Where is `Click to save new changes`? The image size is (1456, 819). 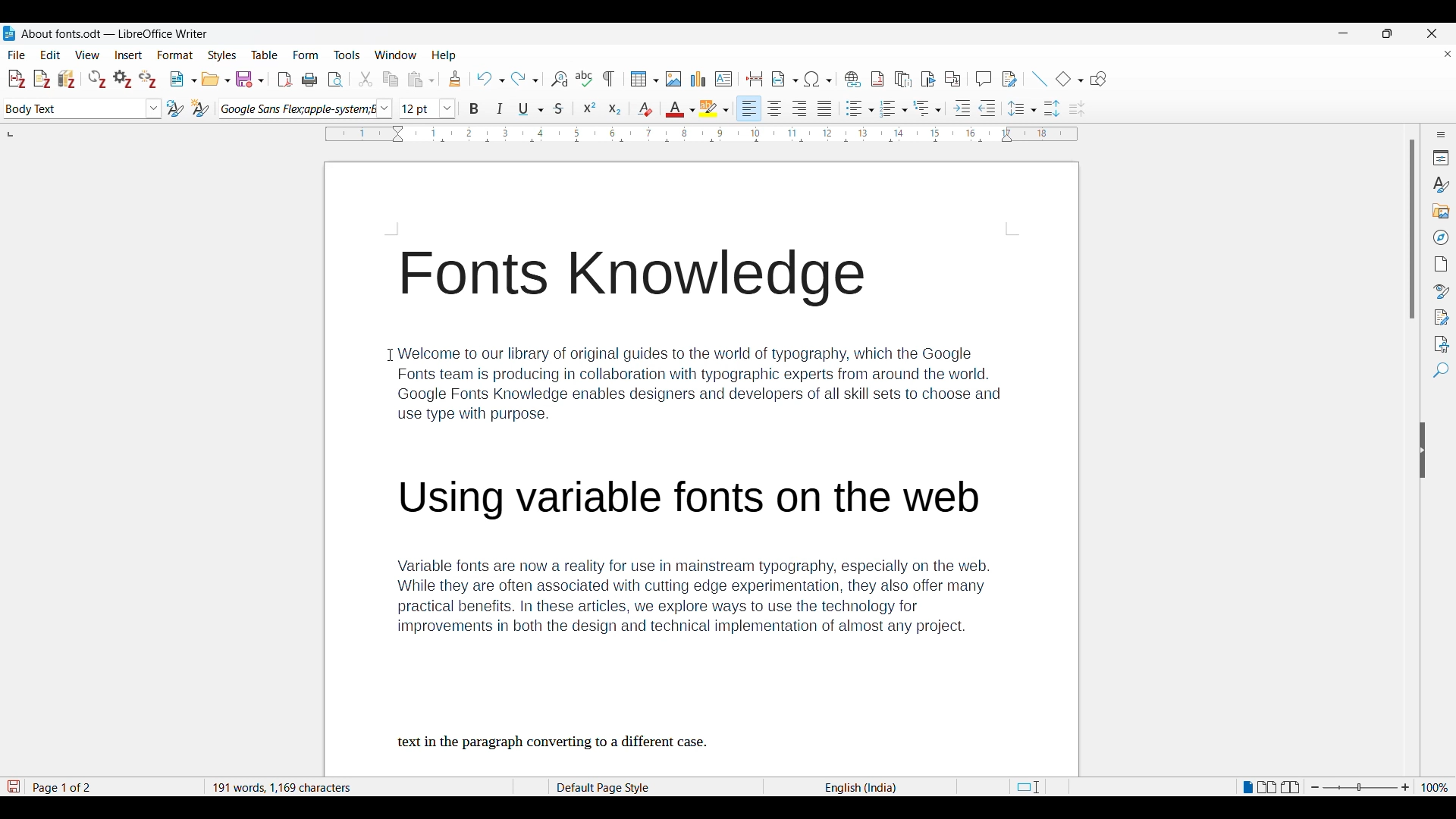 Click to save new changes is located at coordinates (13, 786).